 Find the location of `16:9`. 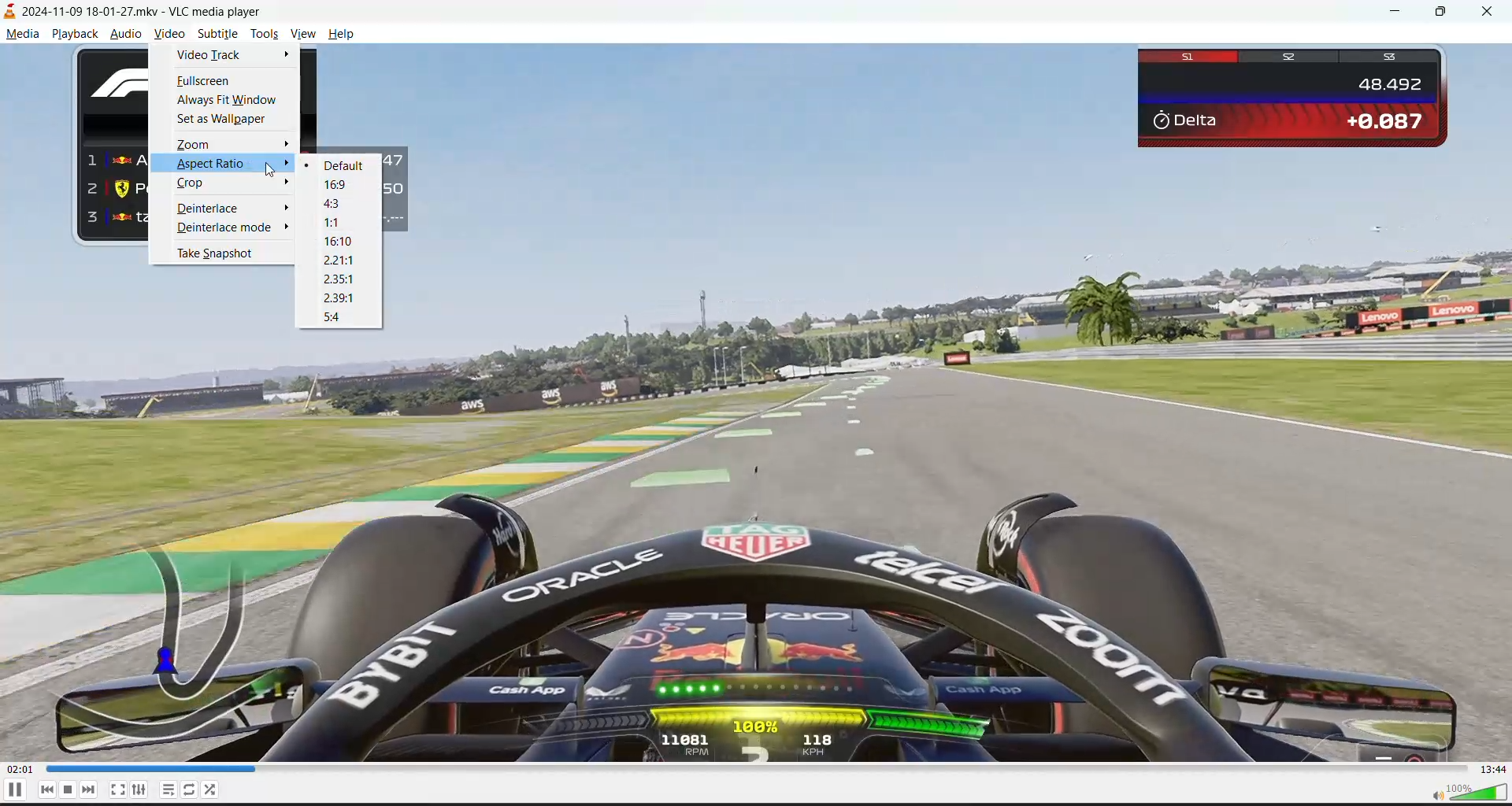

16:9 is located at coordinates (338, 185).